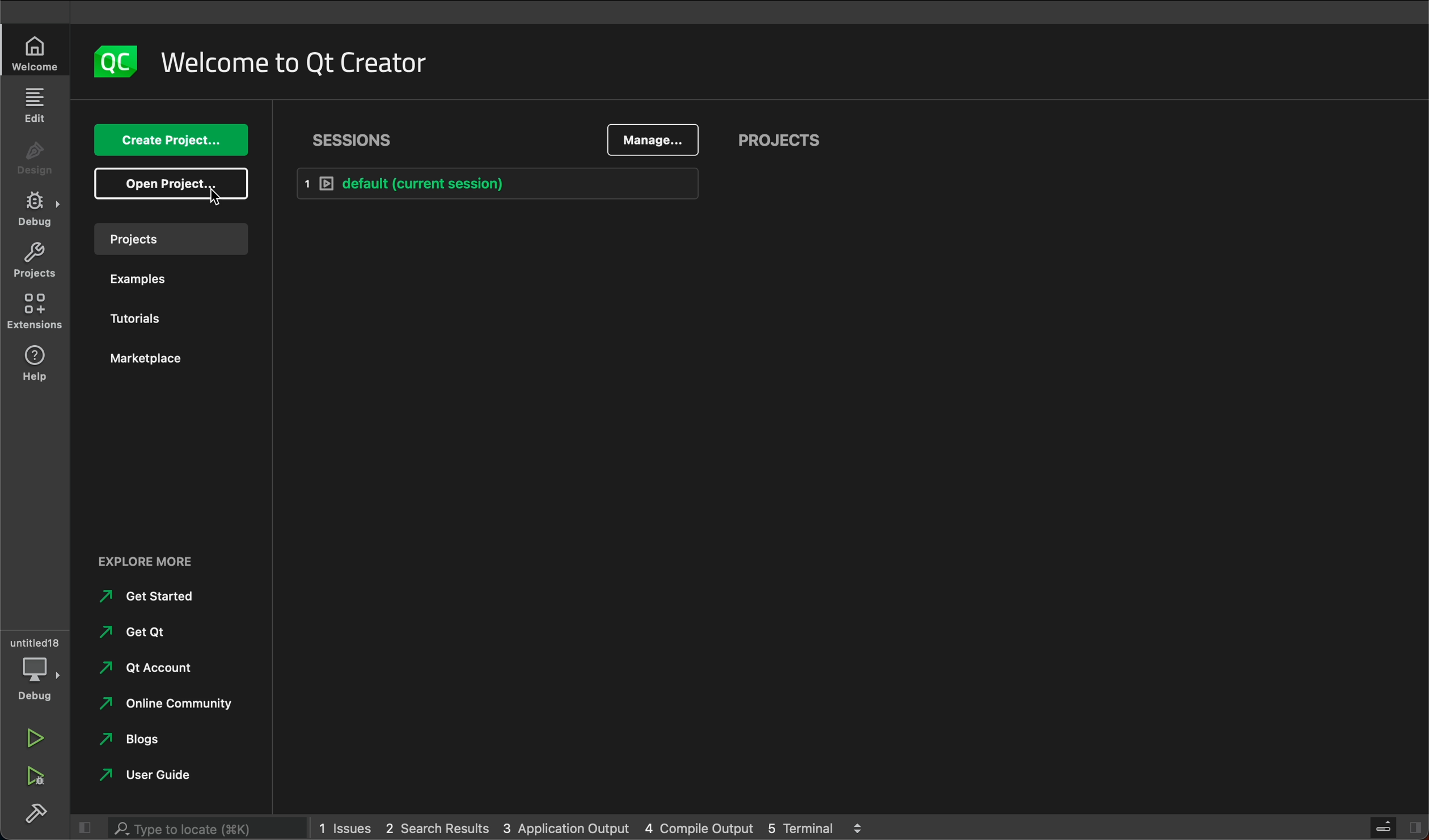 The image size is (1429, 840). What do you see at coordinates (436, 828) in the screenshot?
I see `2 Search Results` at bounding box center [436, 828].